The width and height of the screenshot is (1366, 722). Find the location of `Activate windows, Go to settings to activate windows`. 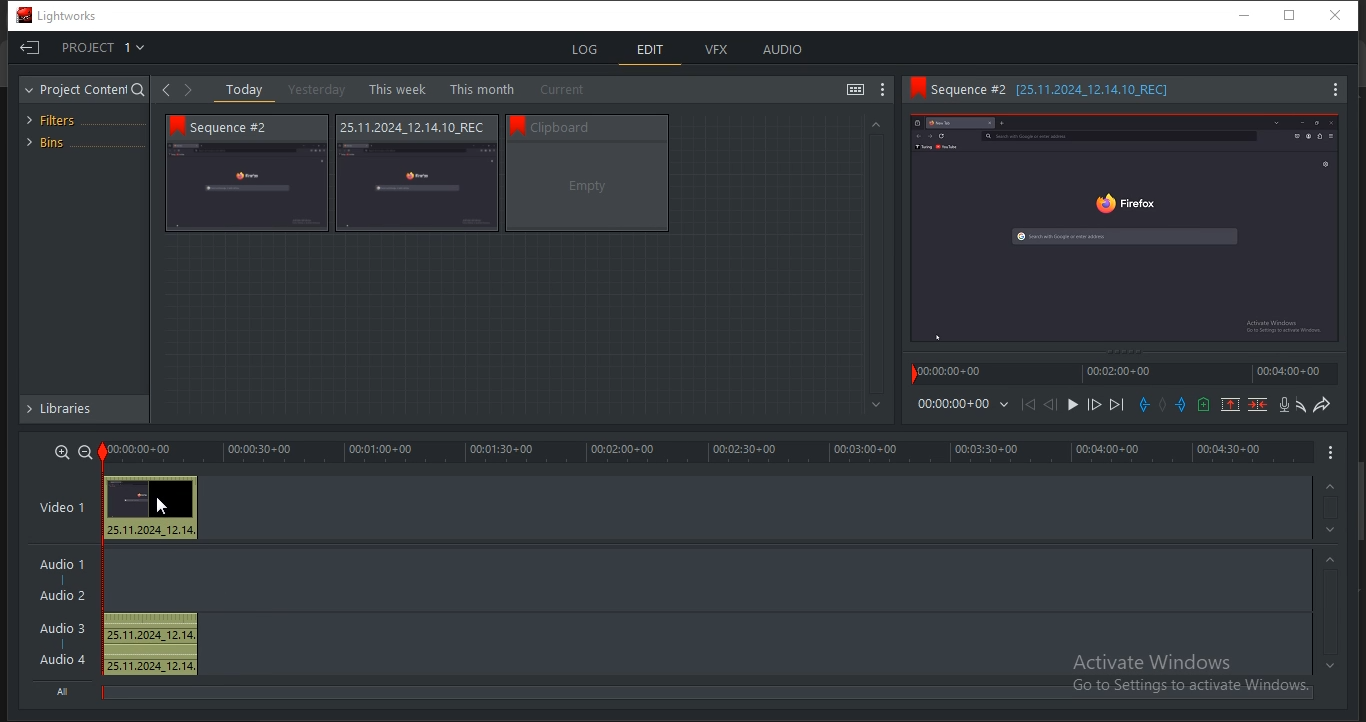

Activate windows, Go to settings to activate windows is located at coordinates (1189, 674).